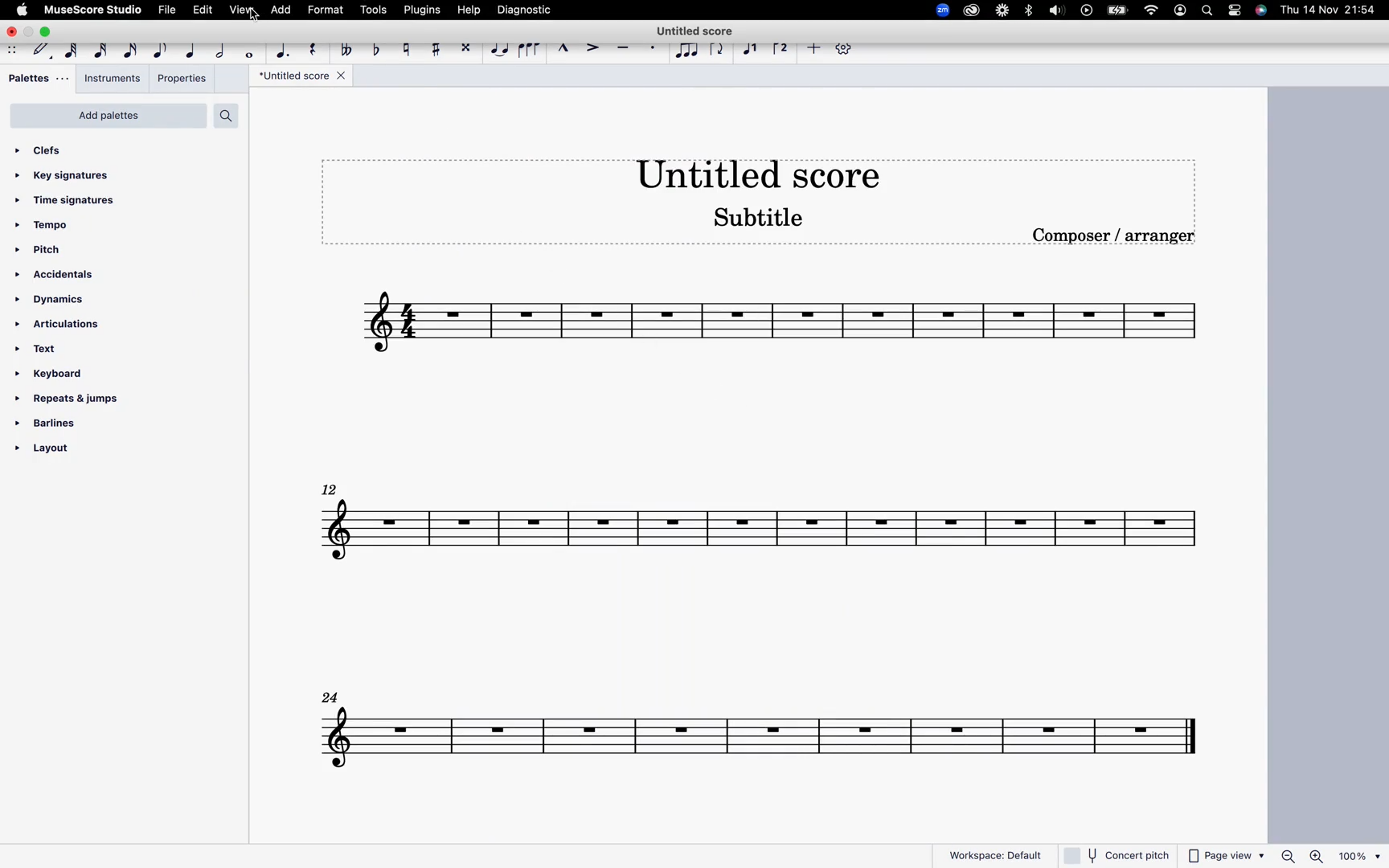 Image resolution: width=1389 pixels, height=868 pixels. Describe the element at coordinates (70, 51) in the screenshot. I see `64th note` at that location.